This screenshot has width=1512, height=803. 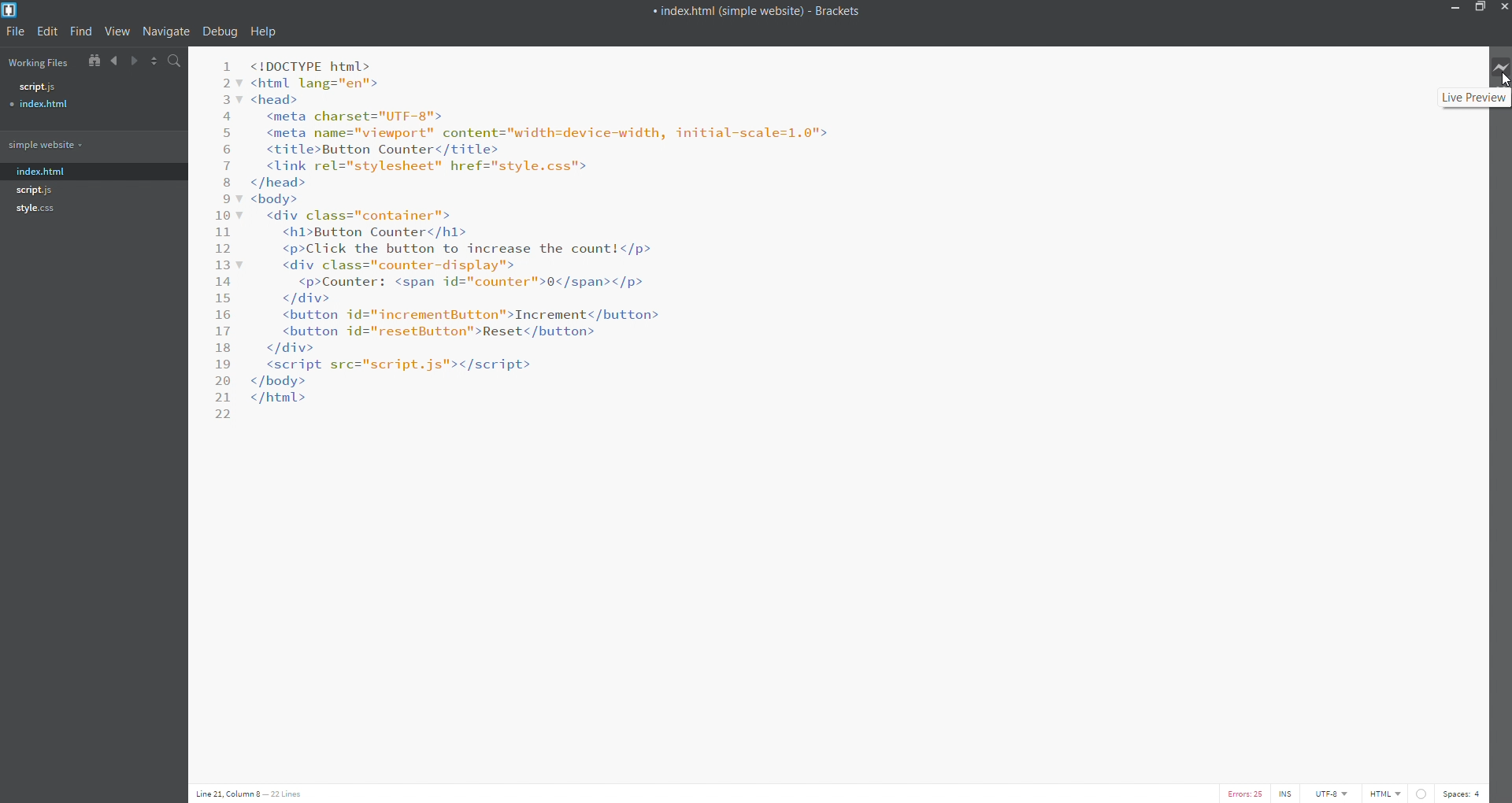 I want to click on live preview, so click(x=1473, y=98).